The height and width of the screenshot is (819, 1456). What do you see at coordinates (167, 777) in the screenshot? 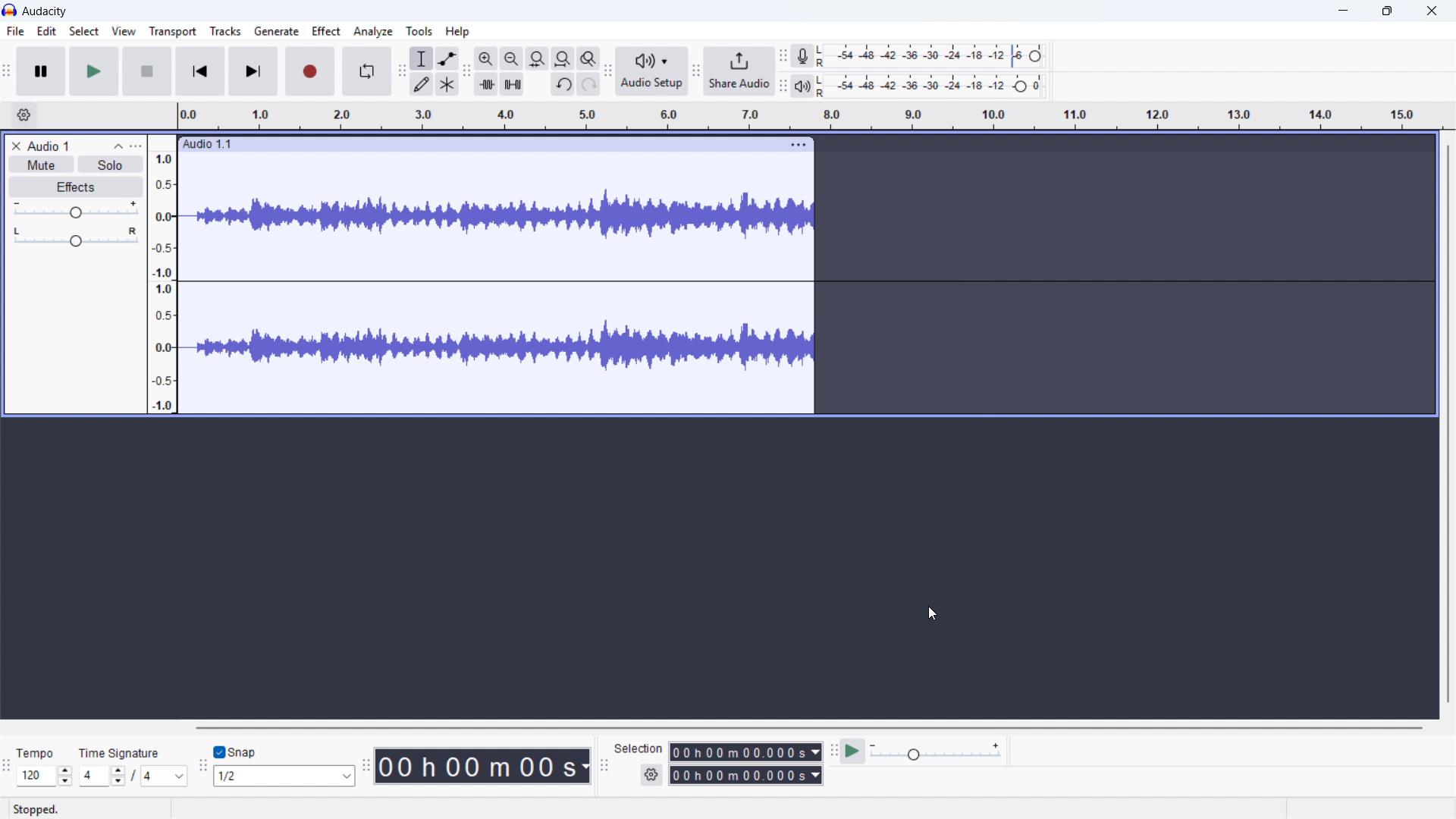
I see `Set time signature ` at bounding box center [167, 777].